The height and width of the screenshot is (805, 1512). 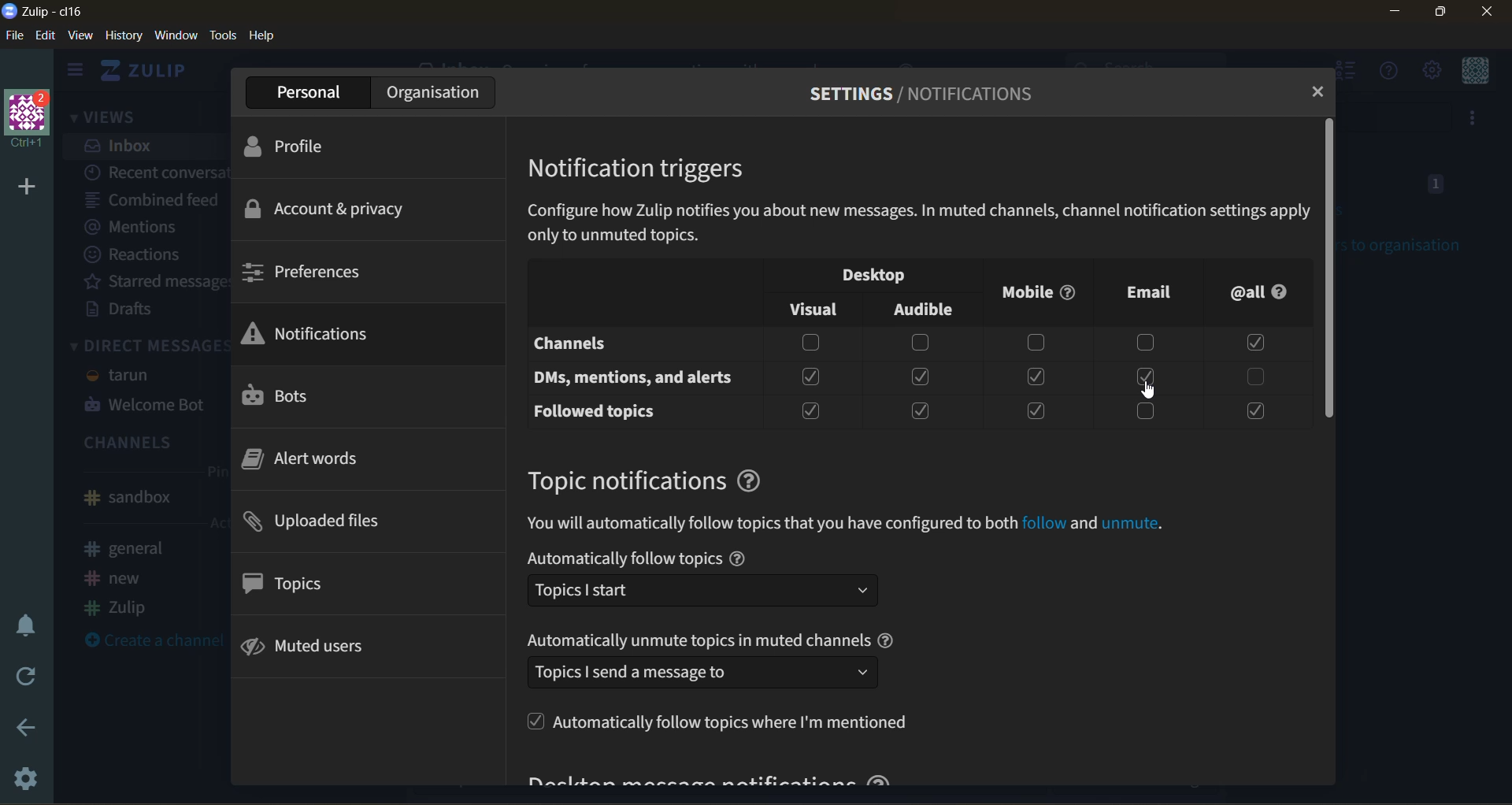 What do you see at coordinates (333, 523) in the screenshot?
I see `uploaded files` at bounding box center [333, 523].